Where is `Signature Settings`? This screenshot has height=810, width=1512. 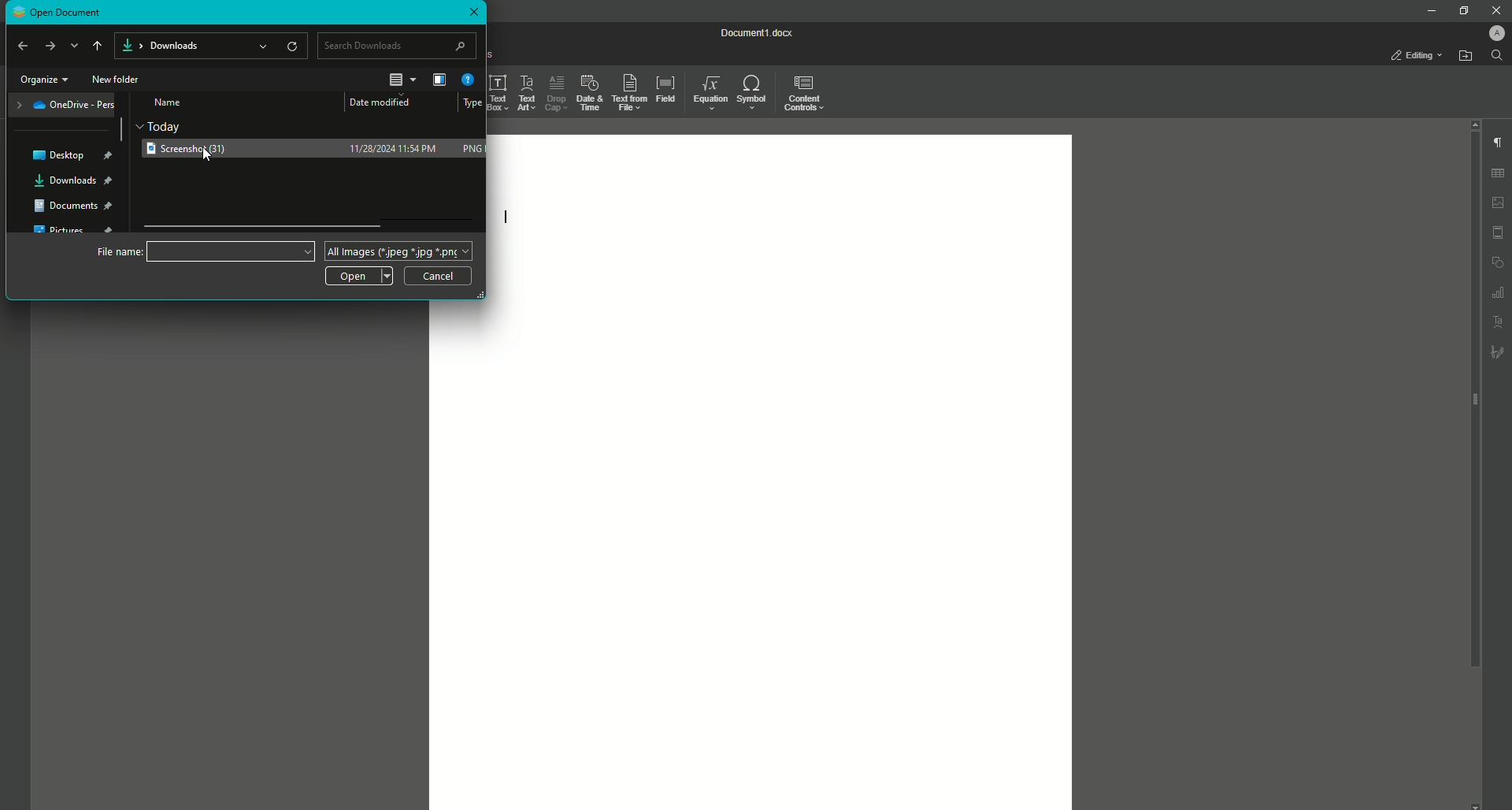 Signature Settings is located at coordinates (1498, 351).